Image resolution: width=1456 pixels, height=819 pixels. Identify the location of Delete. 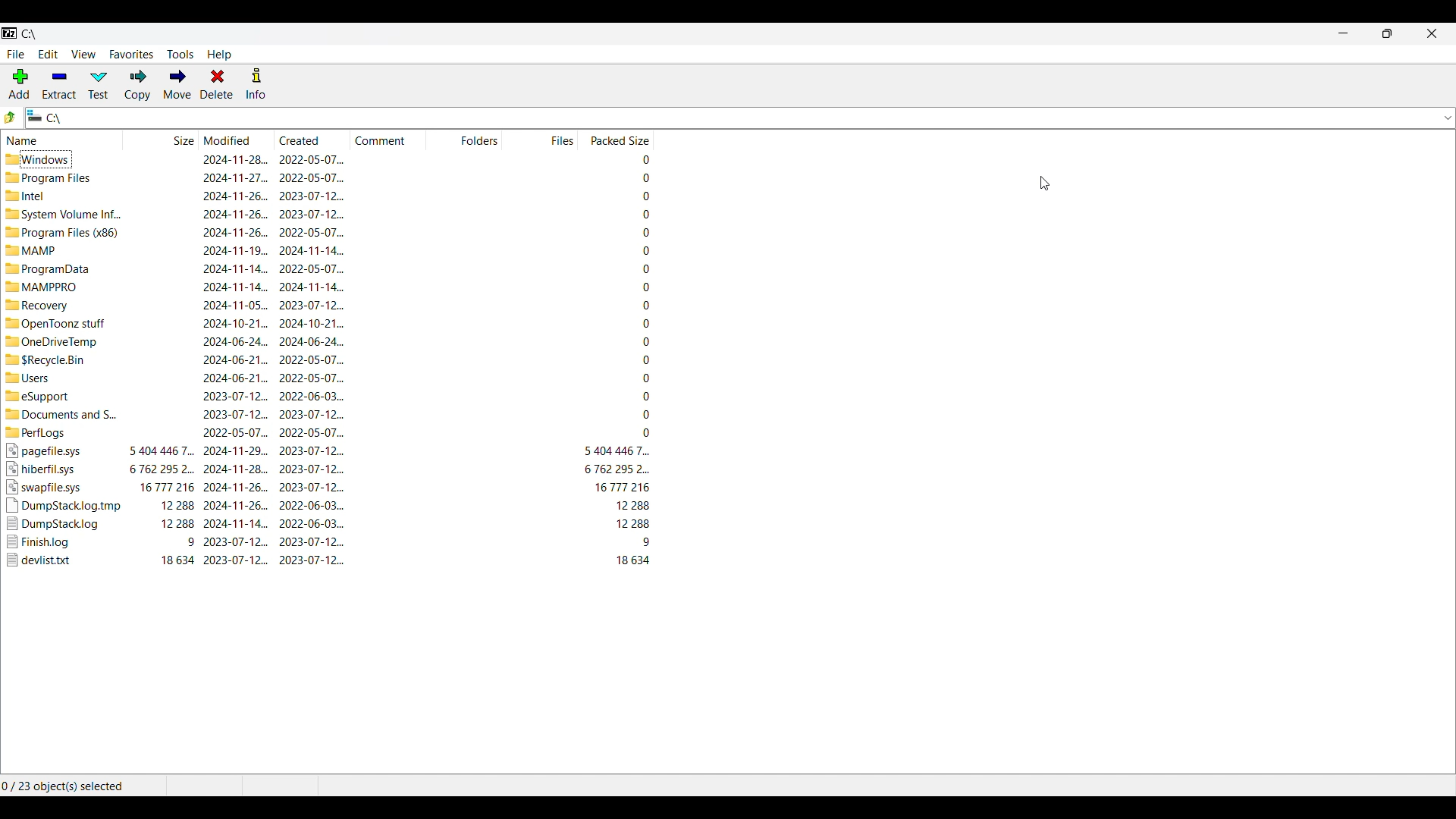
(217, 84).